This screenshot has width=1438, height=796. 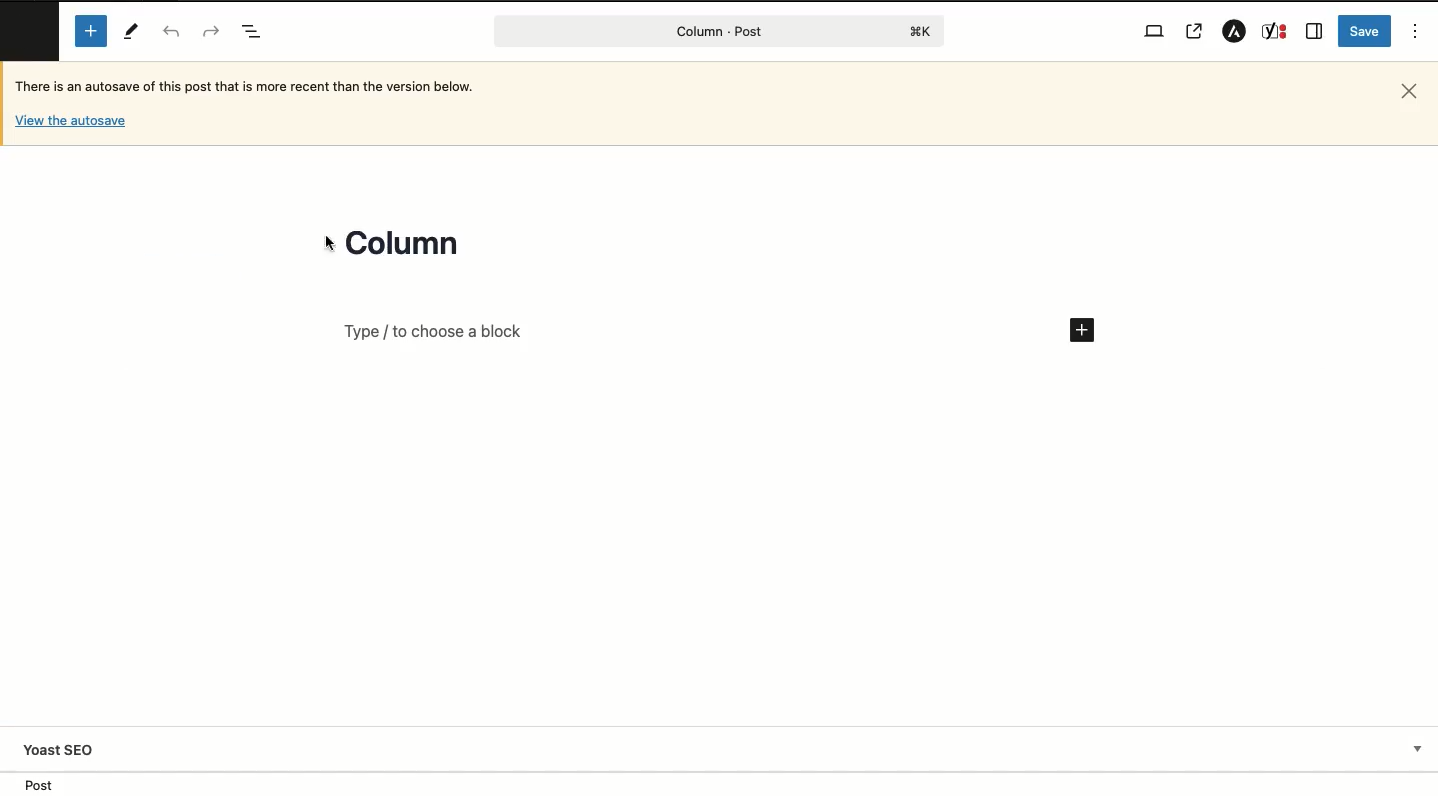 I want to click on Astar, so click(x=1232, y=33).